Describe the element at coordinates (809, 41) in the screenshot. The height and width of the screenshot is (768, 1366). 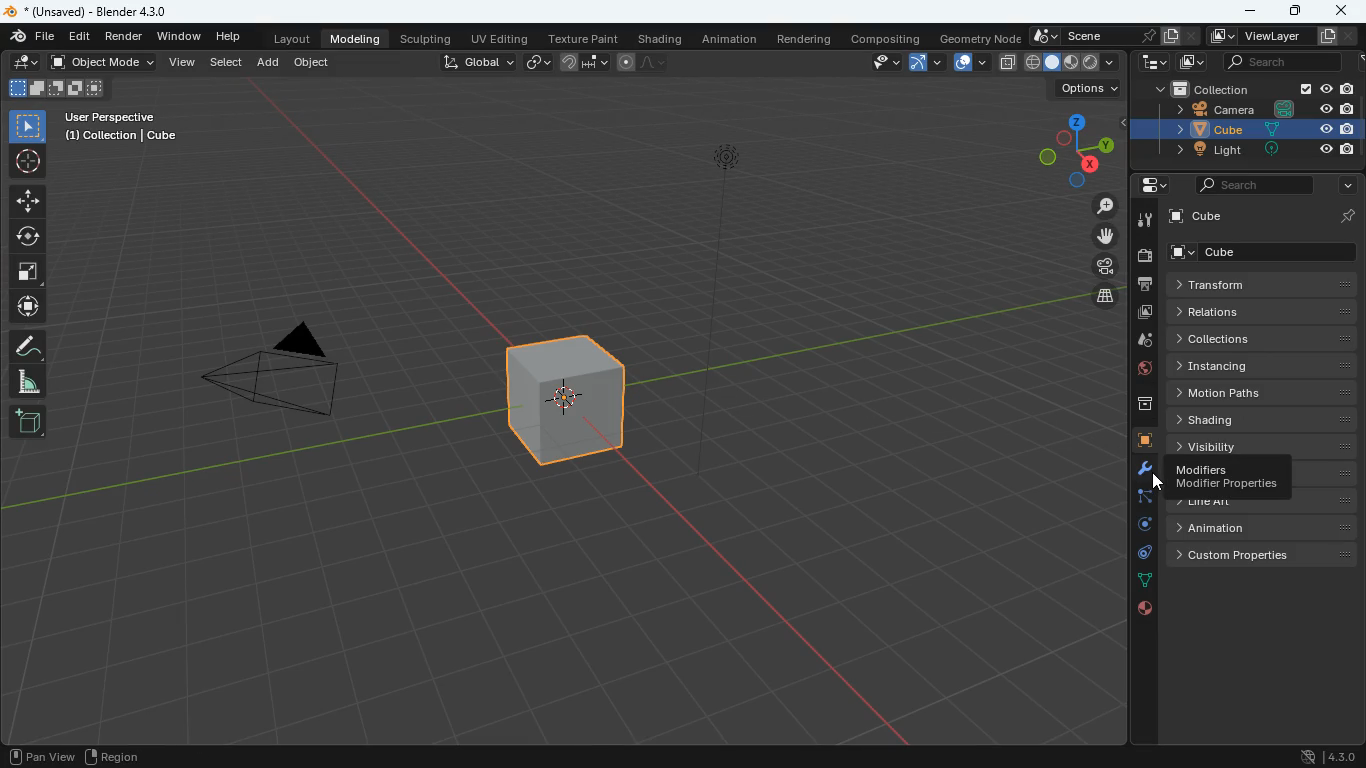
I see `rendering` at that location.